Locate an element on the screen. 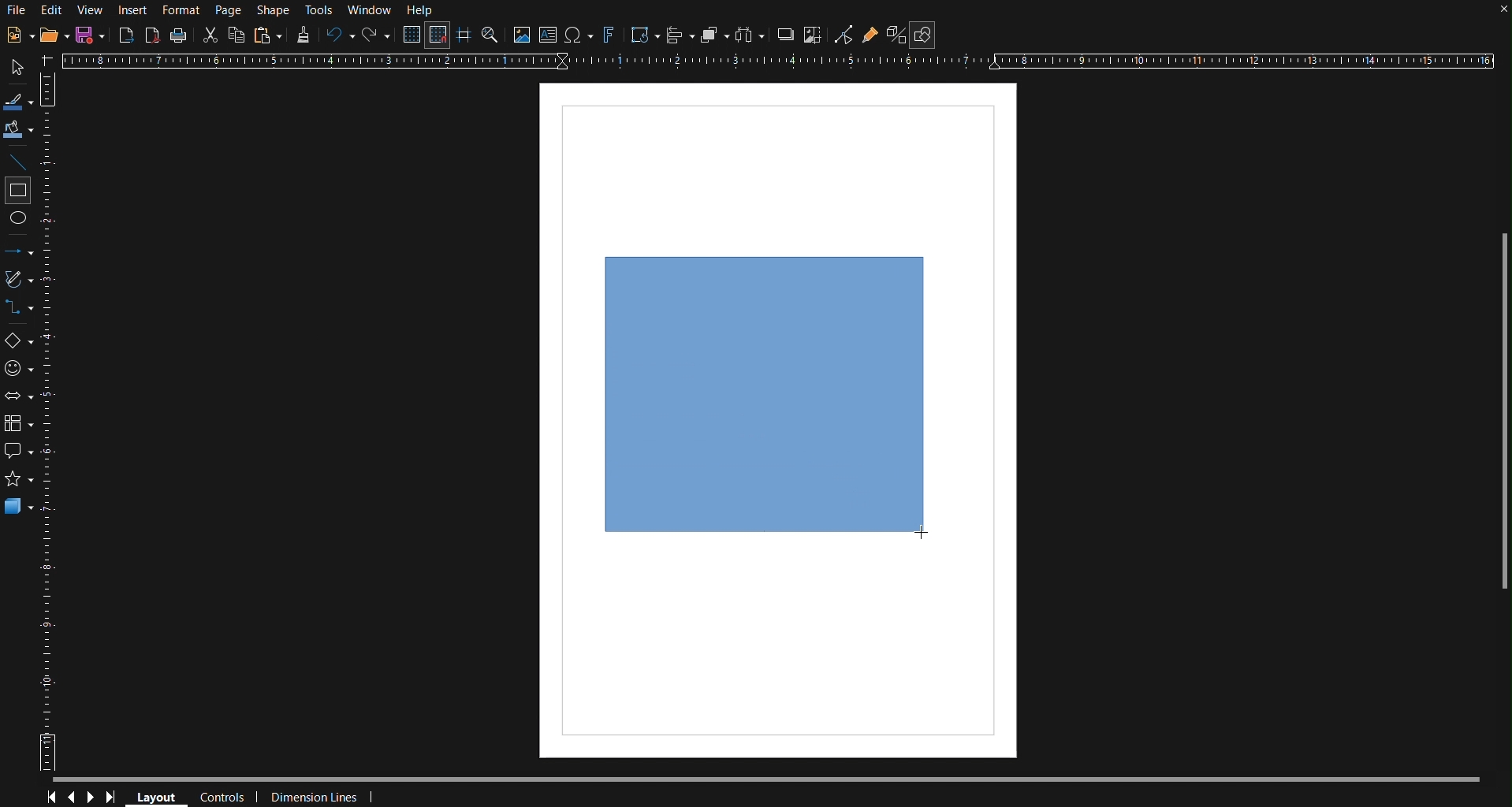 Image resolution: width=1512 pixels, height=807 pixels. Basic Shapes is located at coordinates (20, 342).